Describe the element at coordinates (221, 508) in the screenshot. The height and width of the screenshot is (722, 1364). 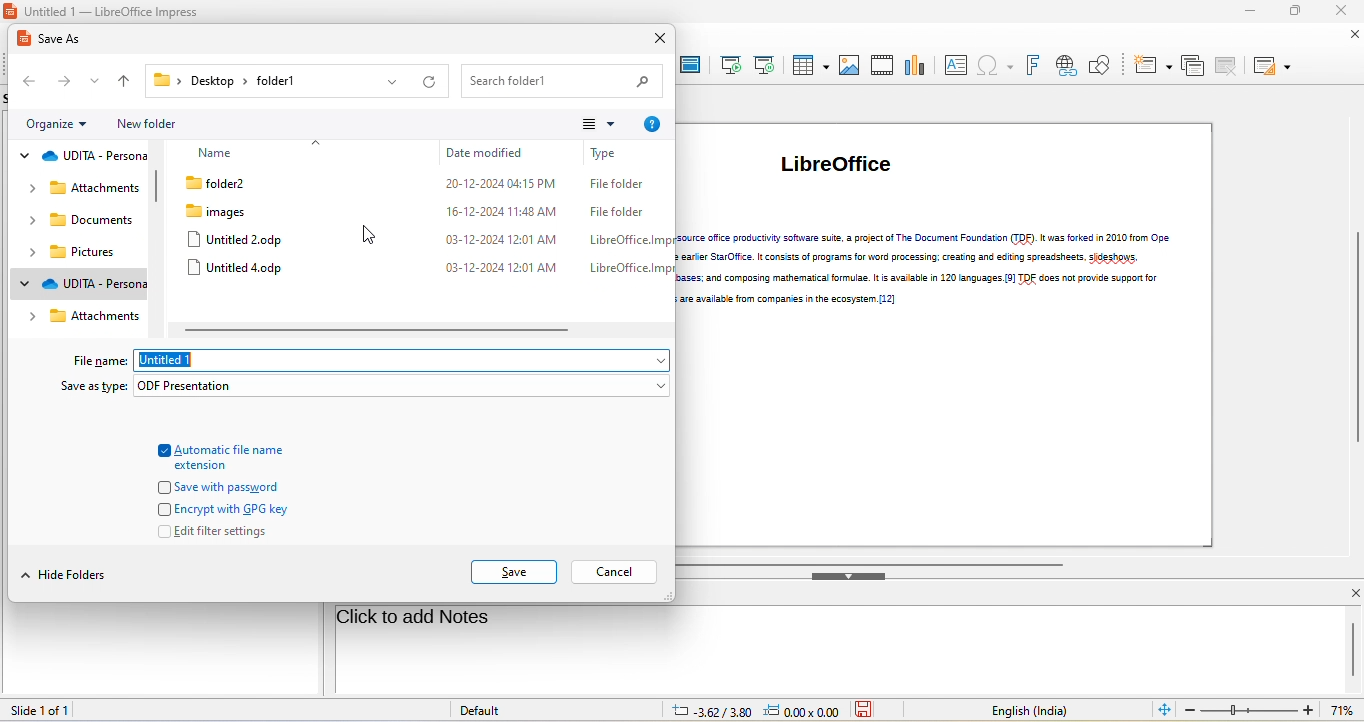
I see `encrypt with gpg key` at that location.